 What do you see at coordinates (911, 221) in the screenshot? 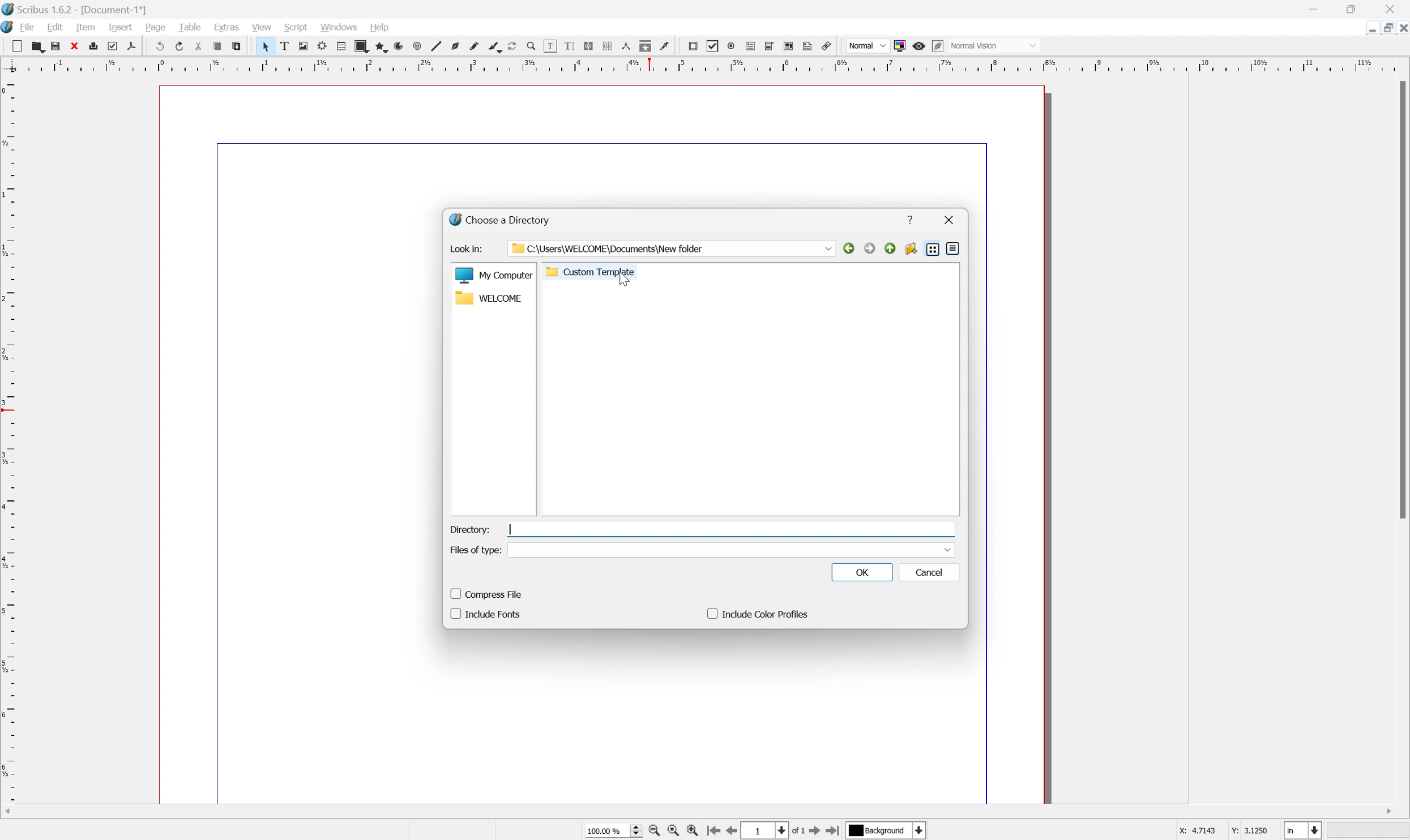
I see `help` at bounding box center [911, 221].